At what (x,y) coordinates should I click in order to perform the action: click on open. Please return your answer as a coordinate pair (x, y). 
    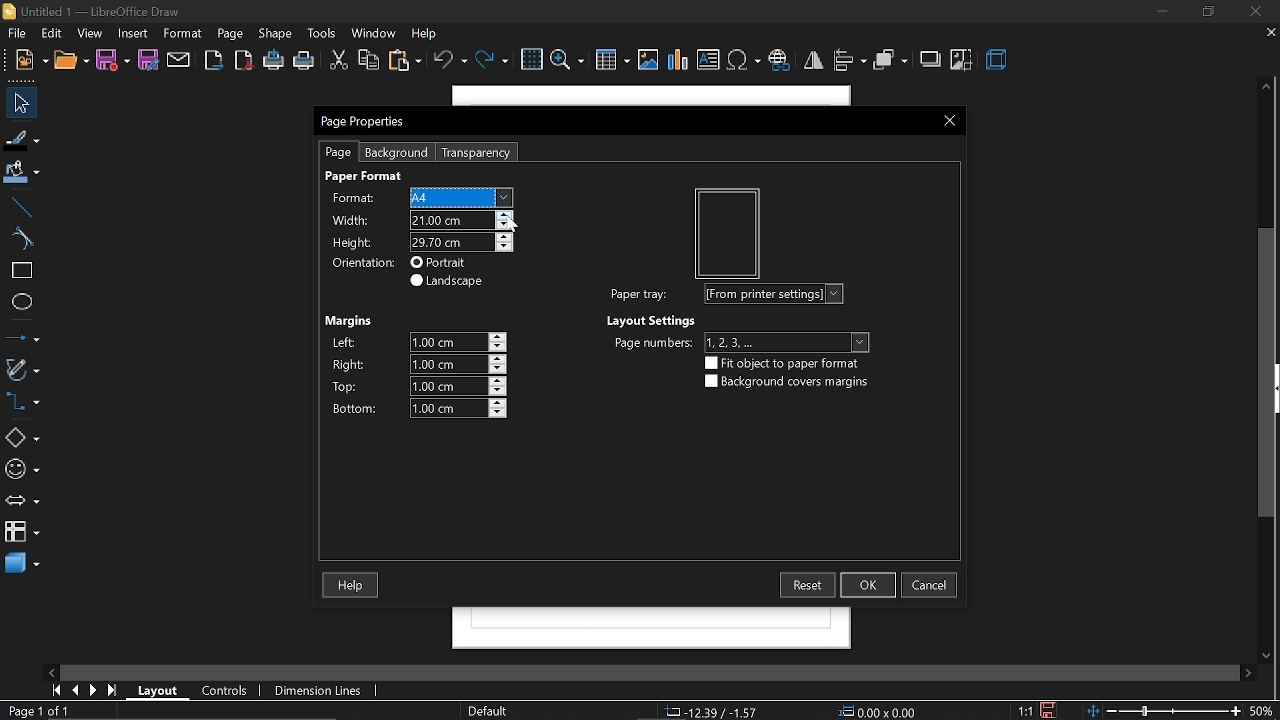
    Looking at the image, I should click on (70, 63).